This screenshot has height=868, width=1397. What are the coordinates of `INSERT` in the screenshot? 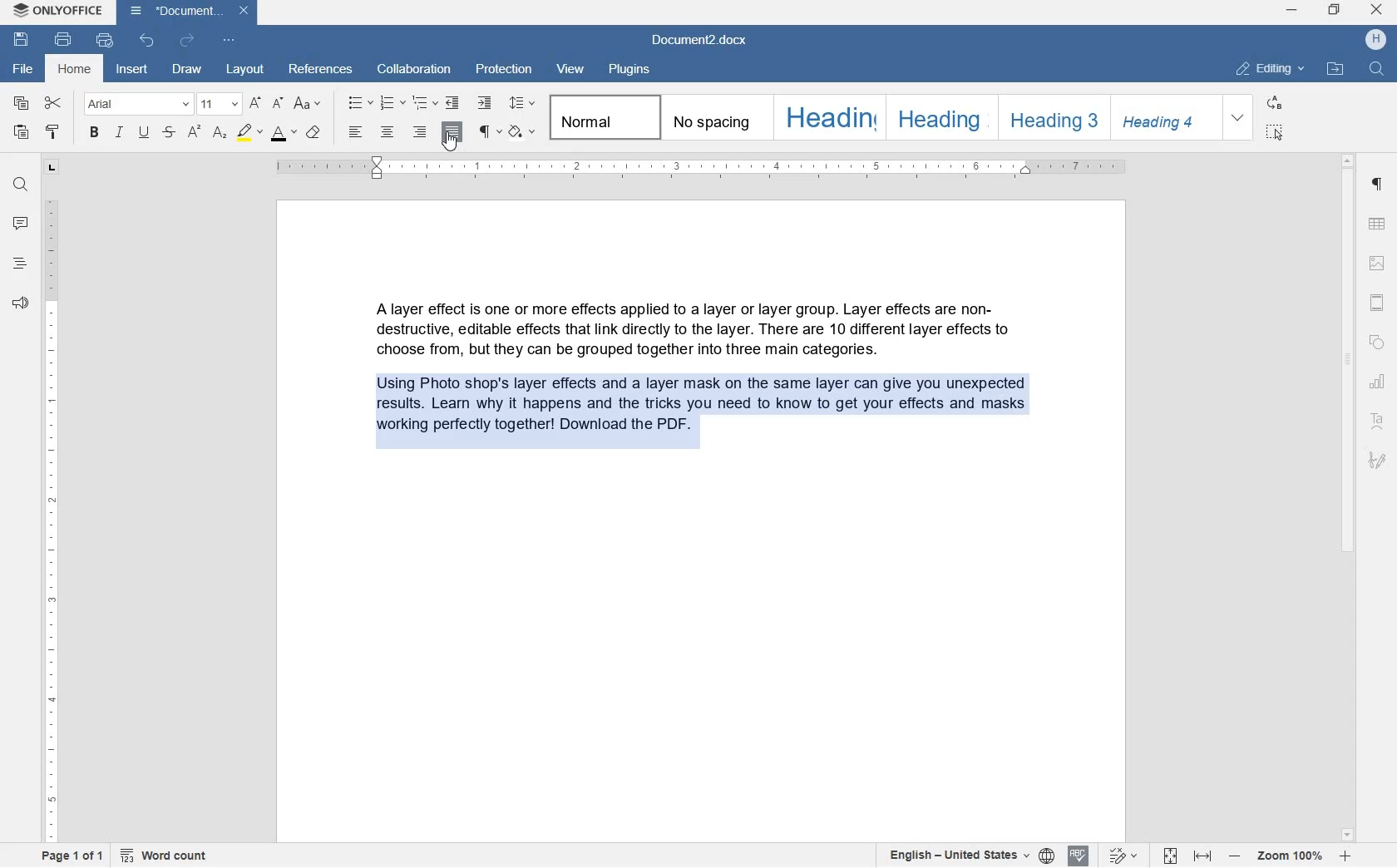 It's located at (133, 72).